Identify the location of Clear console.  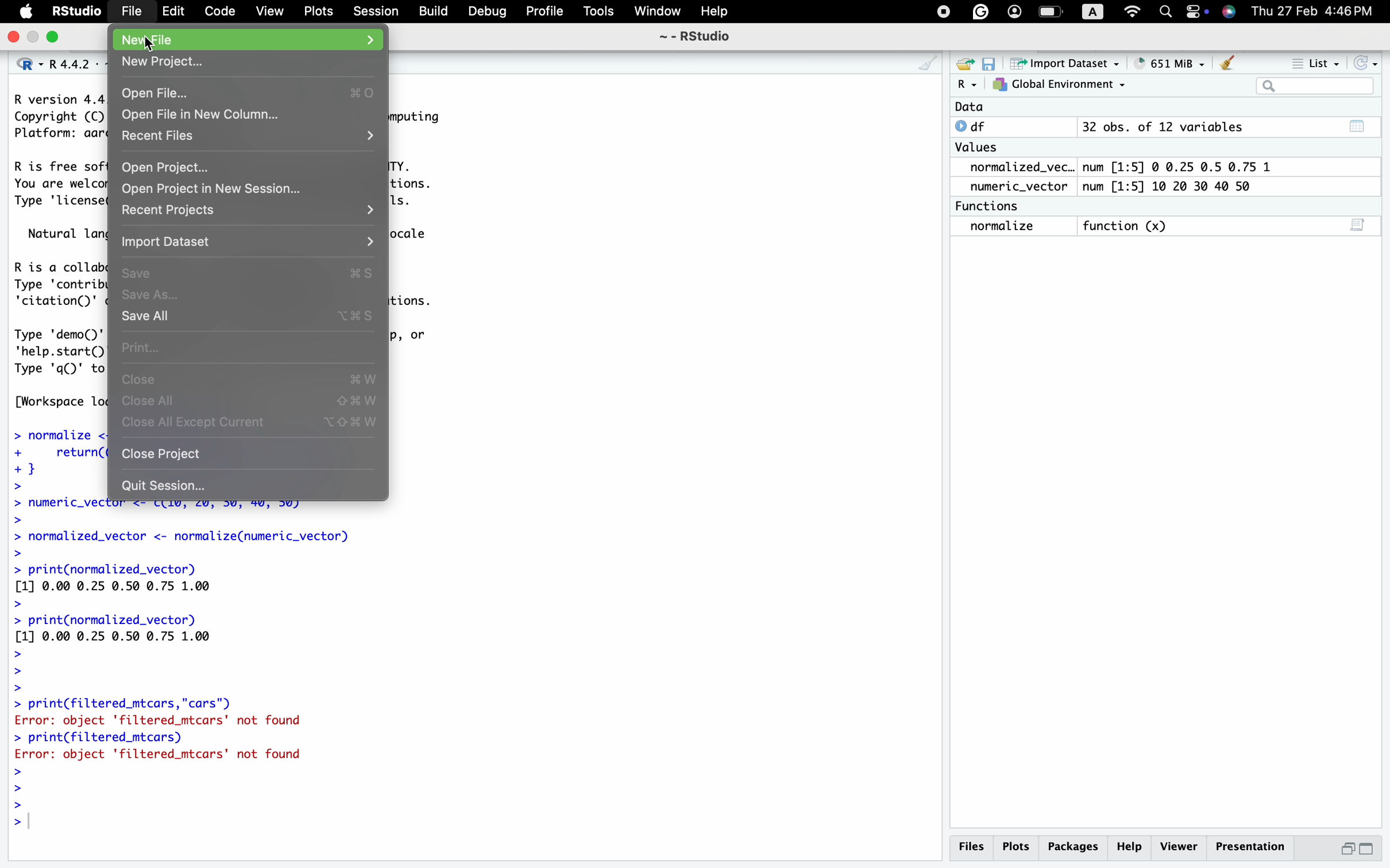
(1230, 61).